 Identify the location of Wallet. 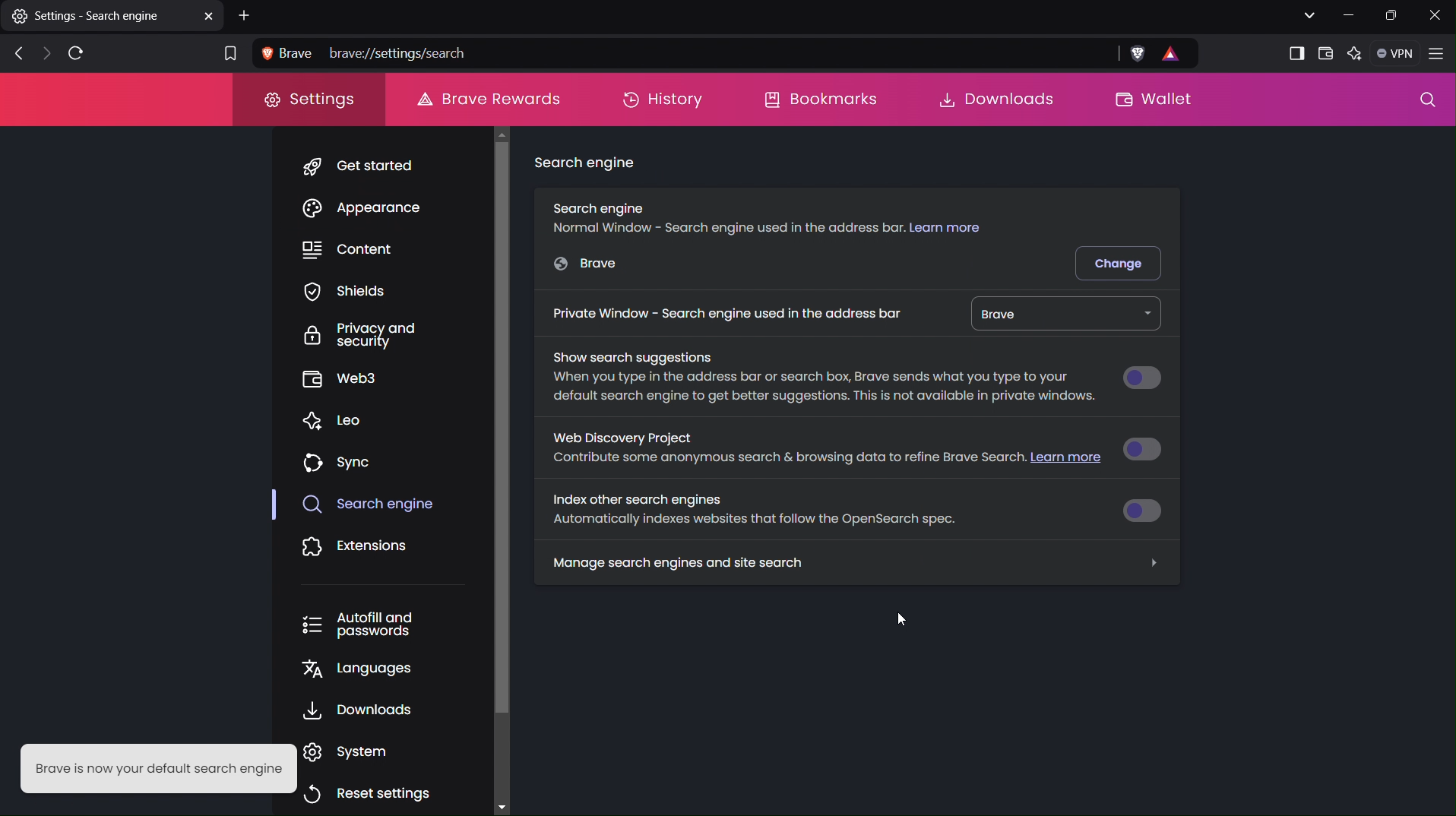
(1163, 101).